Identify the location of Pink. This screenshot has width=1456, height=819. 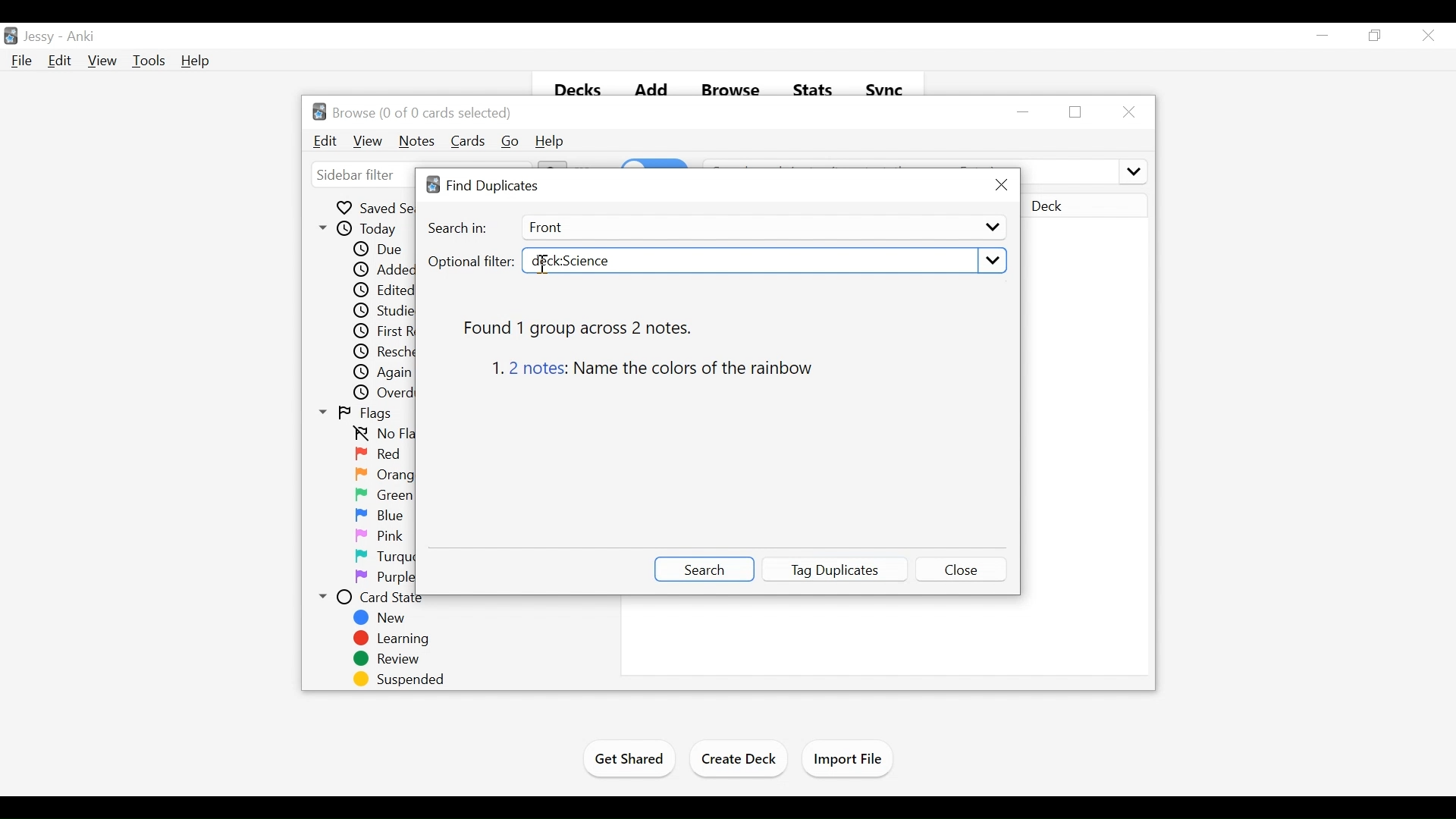
(379, 537).